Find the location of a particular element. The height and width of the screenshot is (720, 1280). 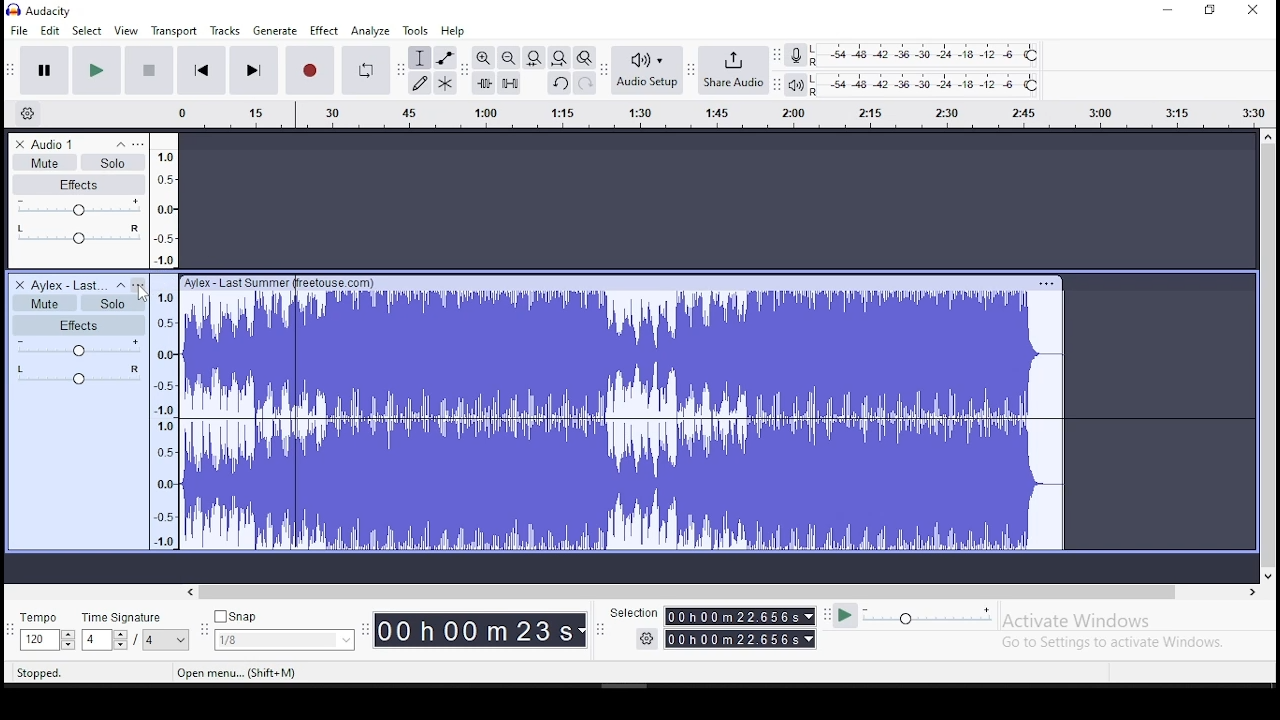

stop is located at coordinates (149, 70).